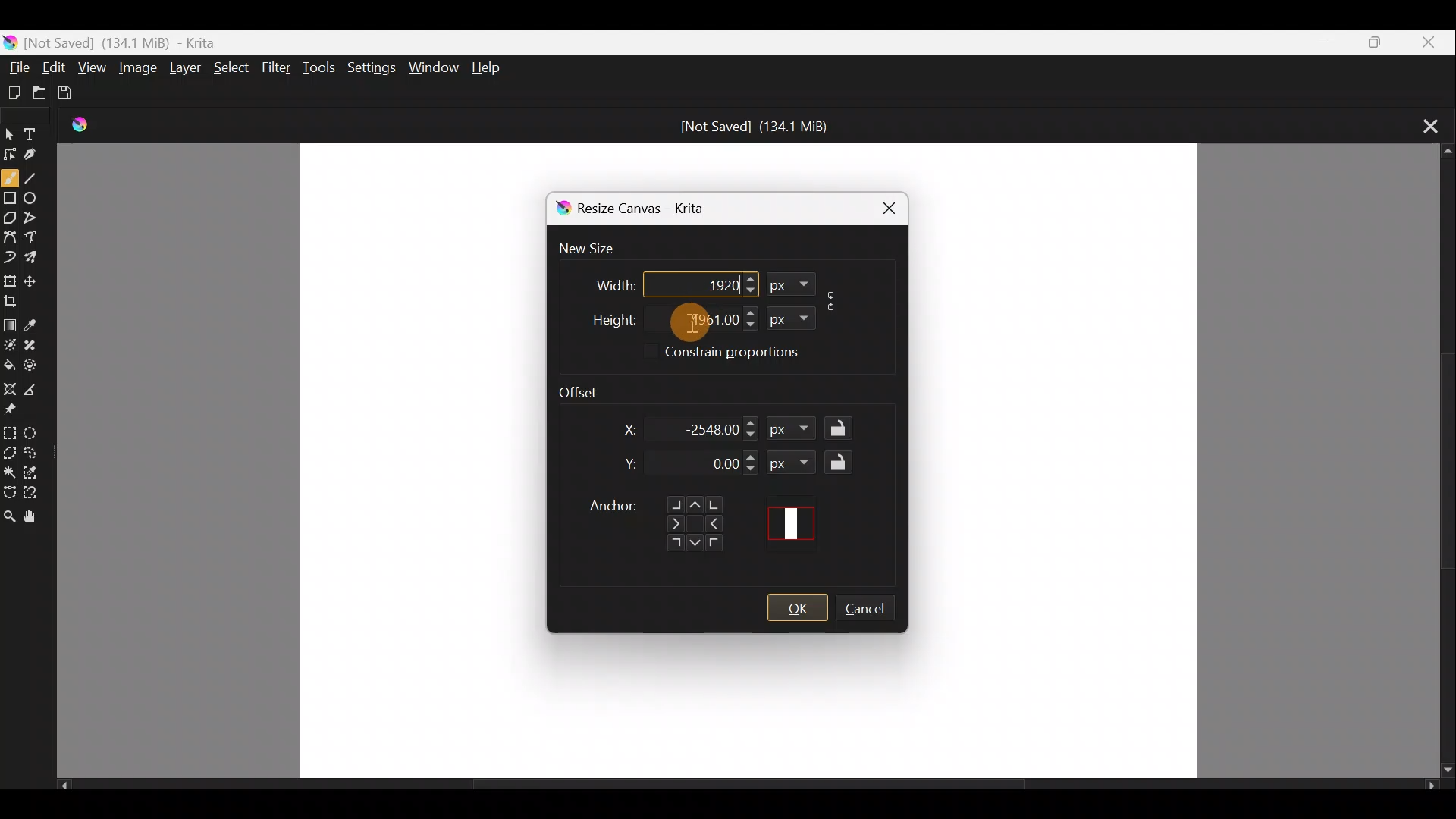  What do you see at coordinates (37, 494) in the screenshot?
I see `Magnetic curve selection tool` at bounding box center [37, 494].